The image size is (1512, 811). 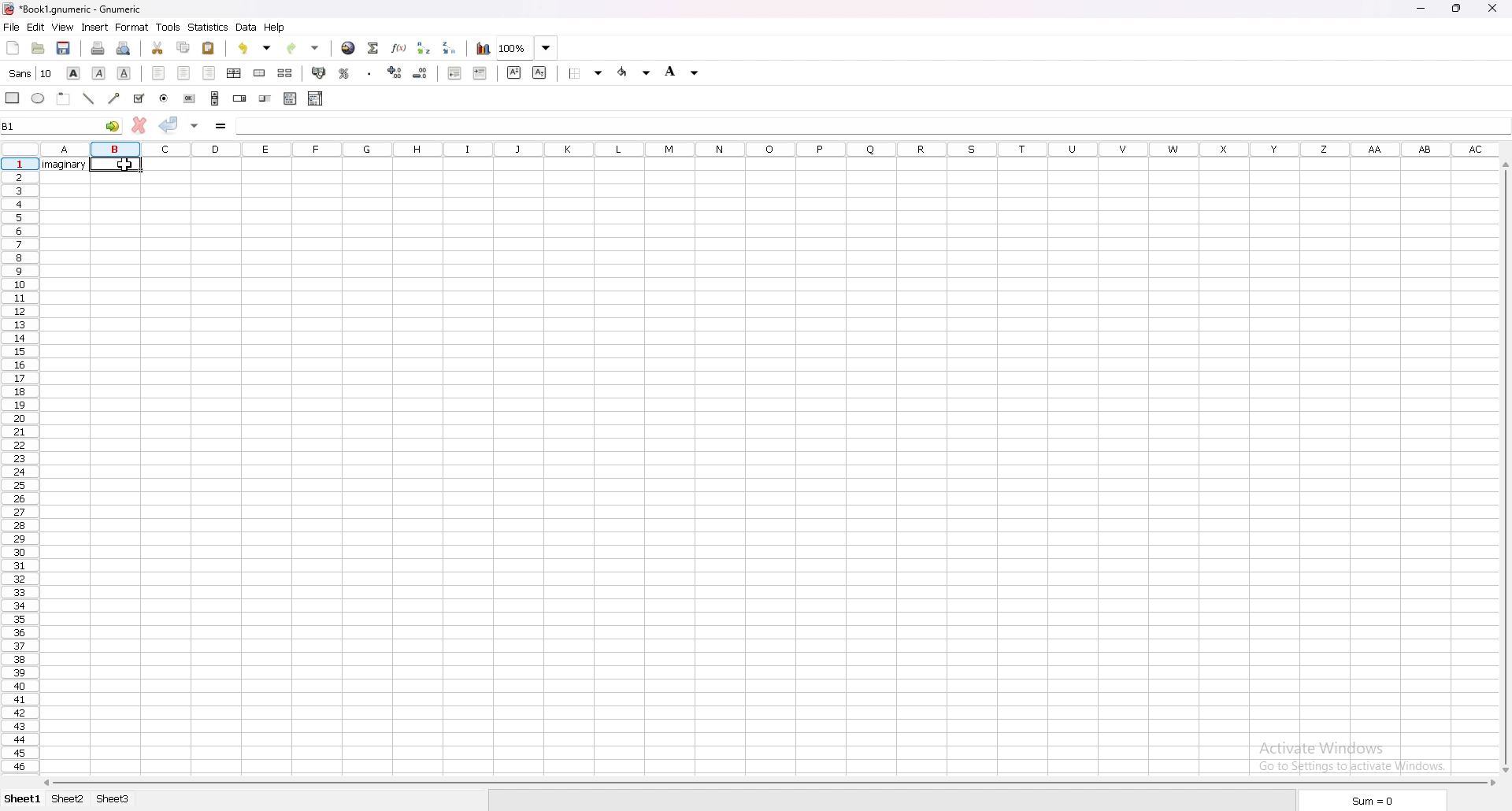 What do you see at coordinates (1371, 799) in the screenshot?
I see `sum` at bounding box center [1371, 799].